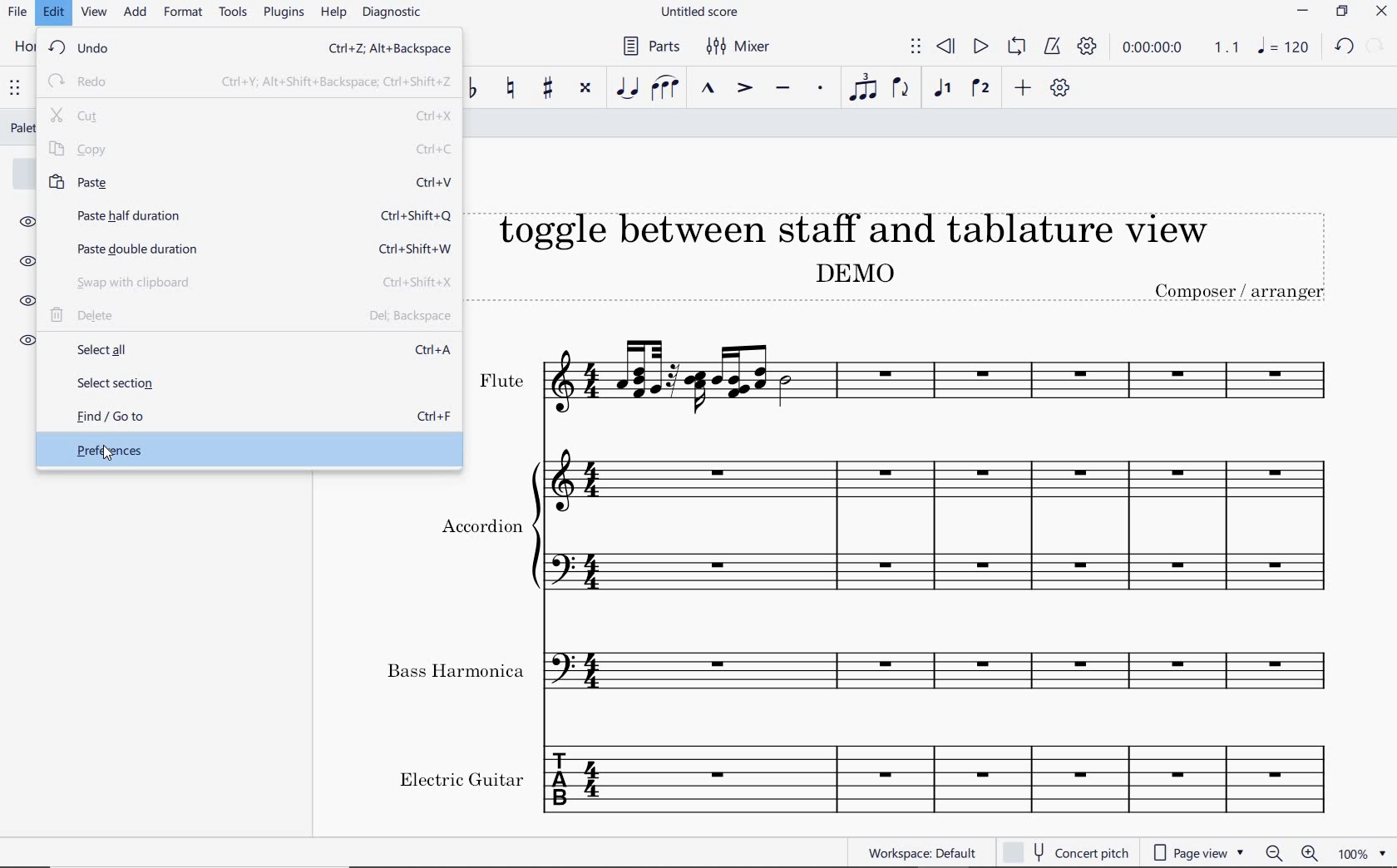  I want to click on toggle flat, so click(476, 88).